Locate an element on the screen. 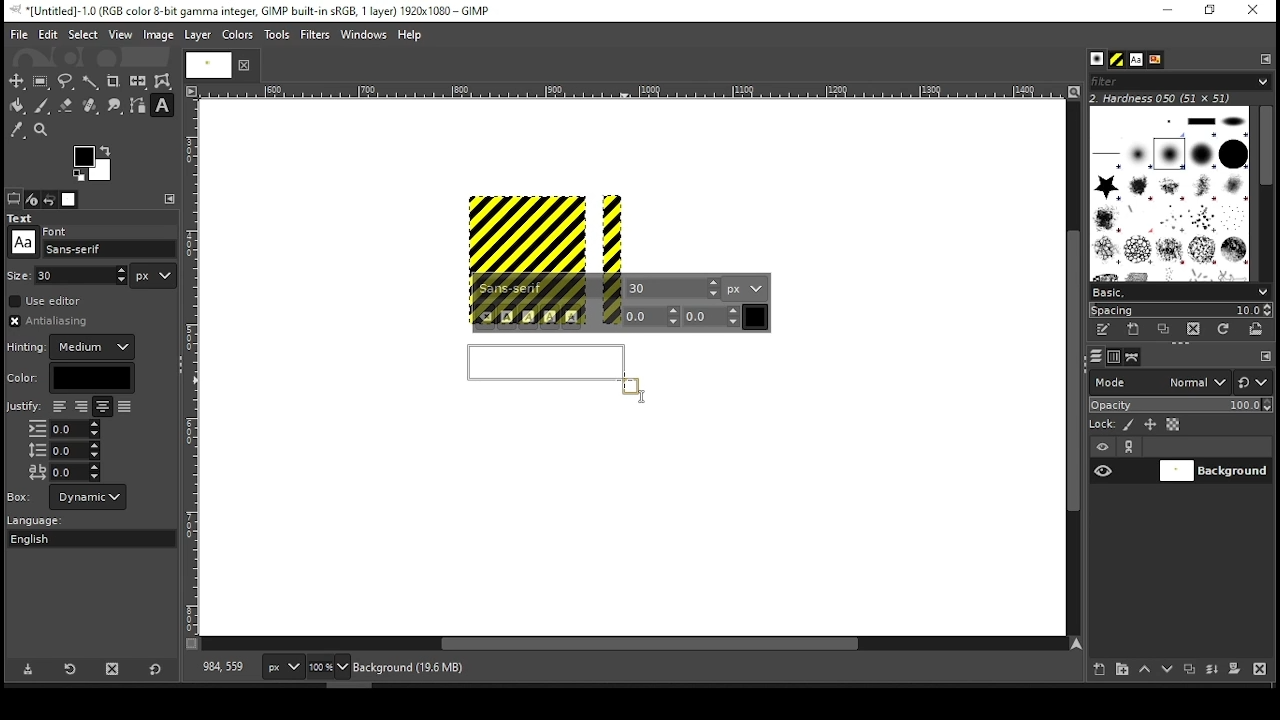 This screenshot has height=720, width=1280. language is located at coordinates (44, 521).